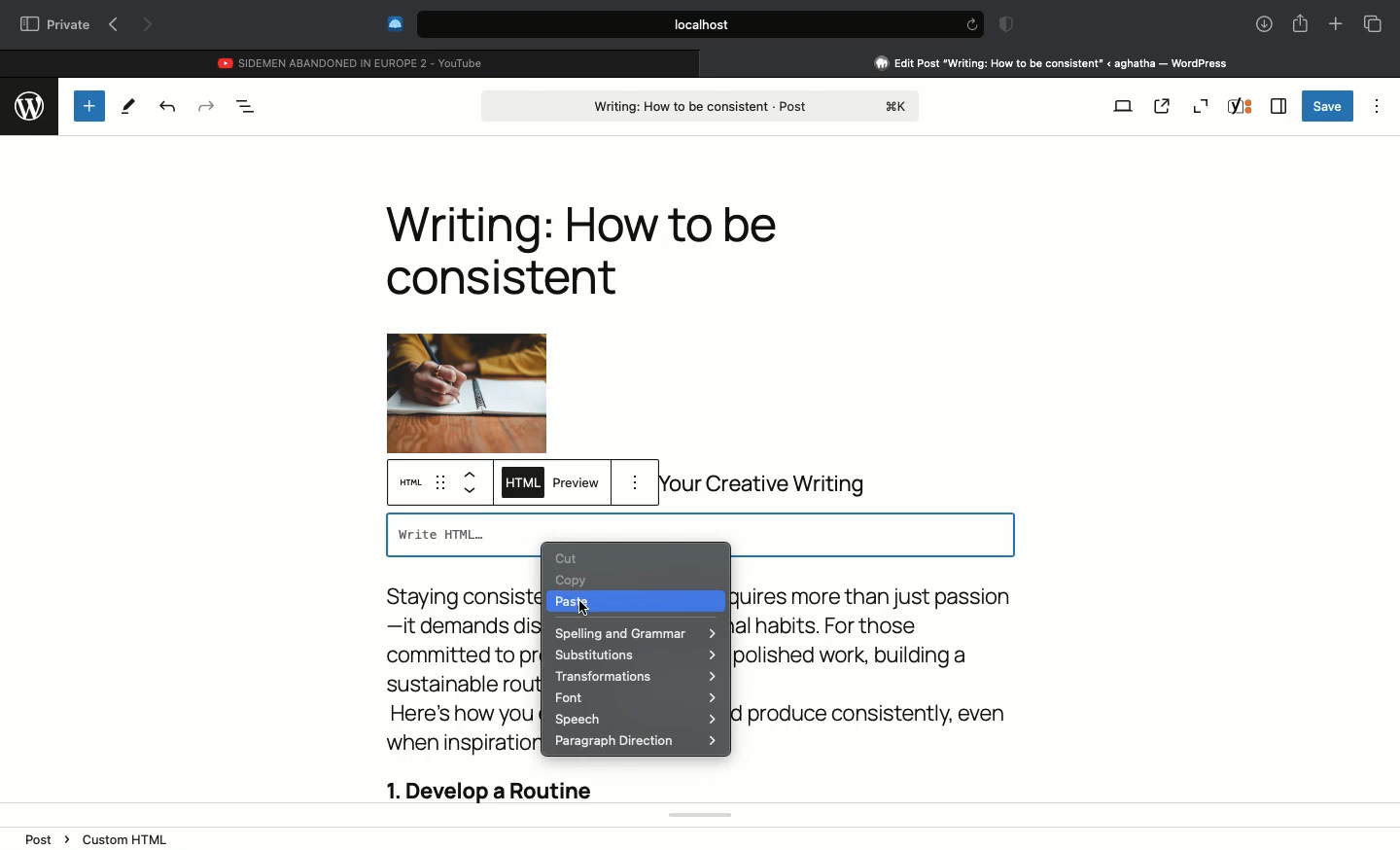 The image size is (1400, 850). What do you see at coordinates (466, 371) in the screenshot?
I see `Image` at bounding box center [466, 371].